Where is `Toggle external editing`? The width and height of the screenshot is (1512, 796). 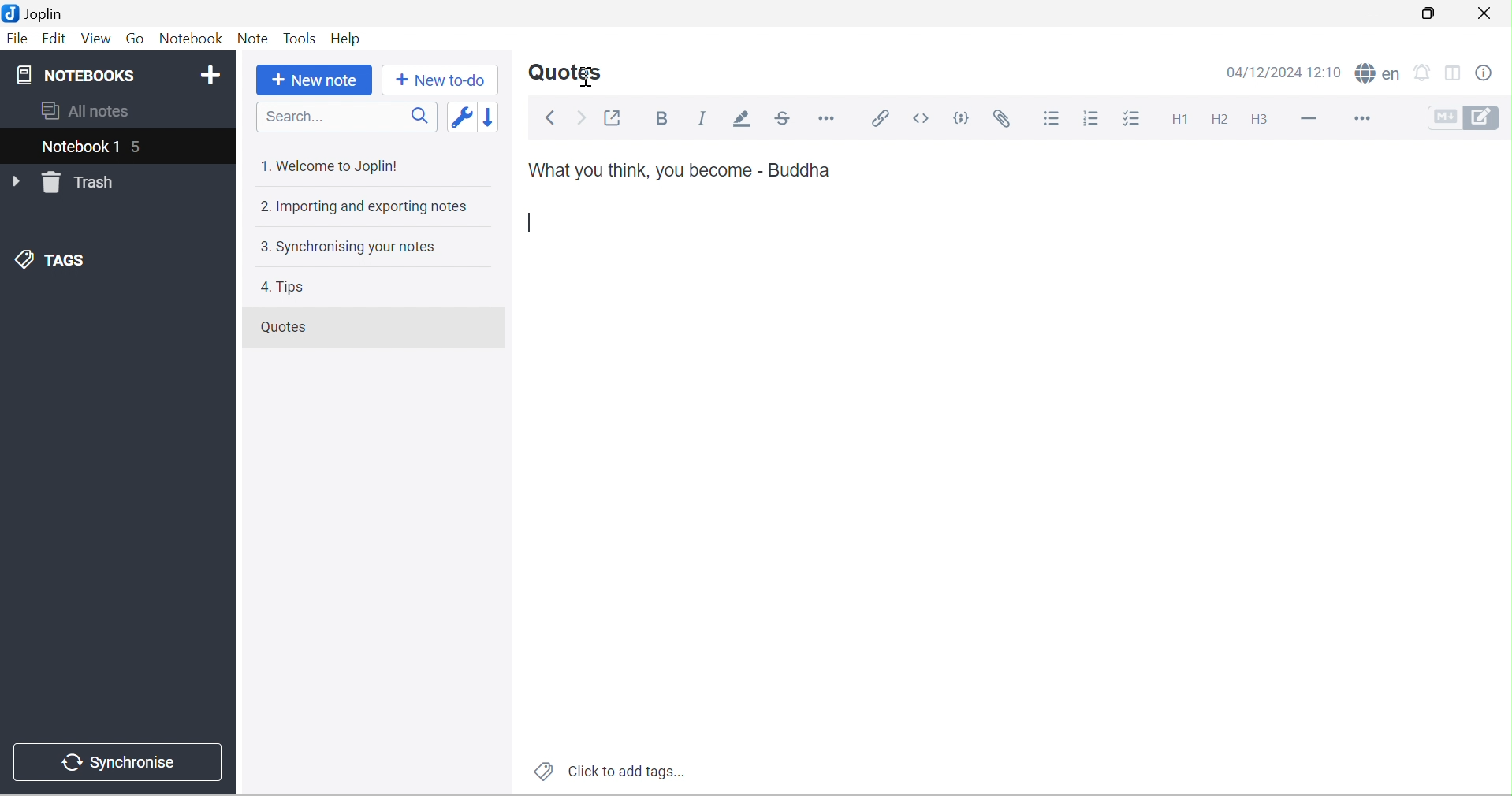
Toggle external editing is located at coordinates (614, 117).